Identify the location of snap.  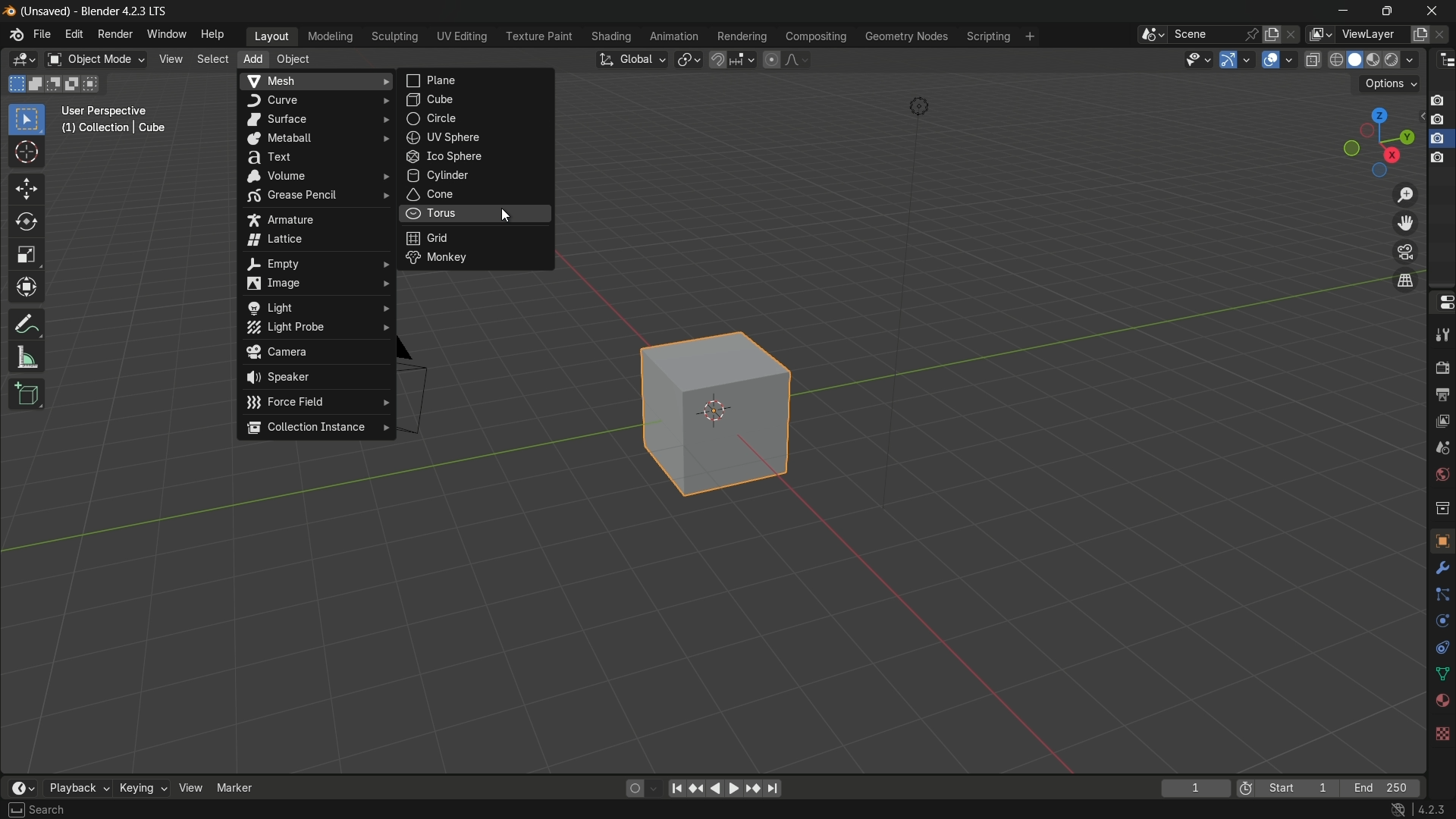
(731, 59).